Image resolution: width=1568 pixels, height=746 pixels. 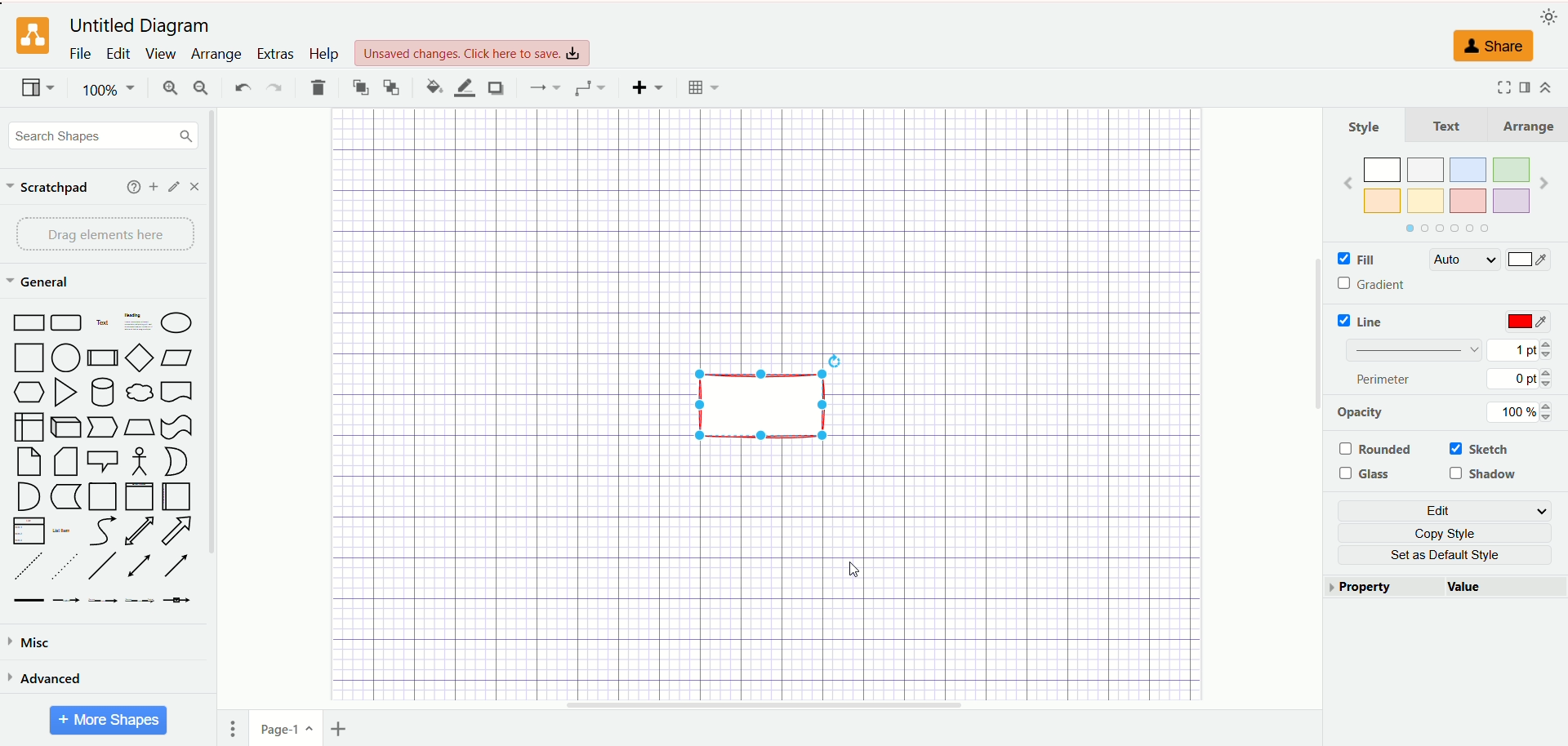 I want to click on add, so click(x=151, y=185).